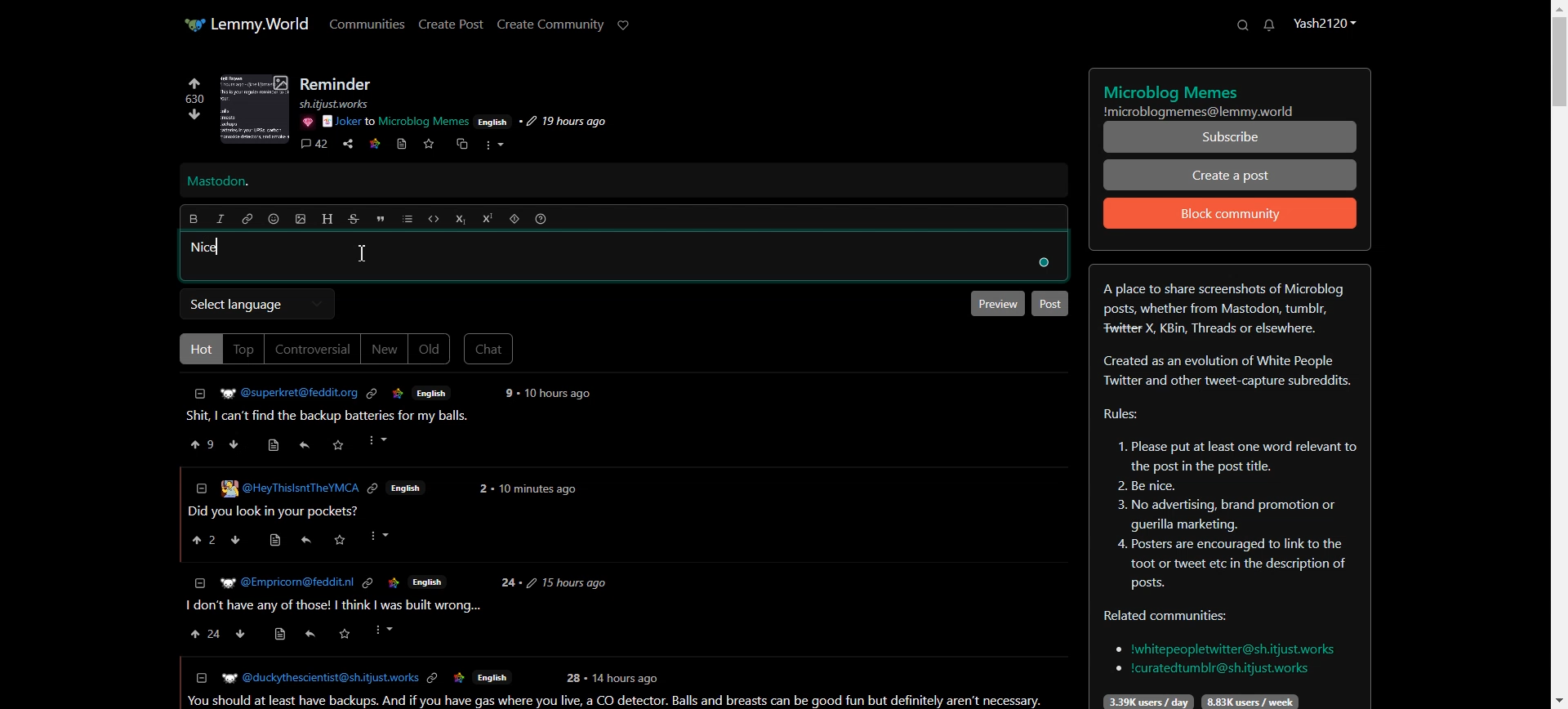 Image resolution: width=1568 pixels, height=709 pixels. I want to click on Vertical scroll bar, so click(1558, 354).